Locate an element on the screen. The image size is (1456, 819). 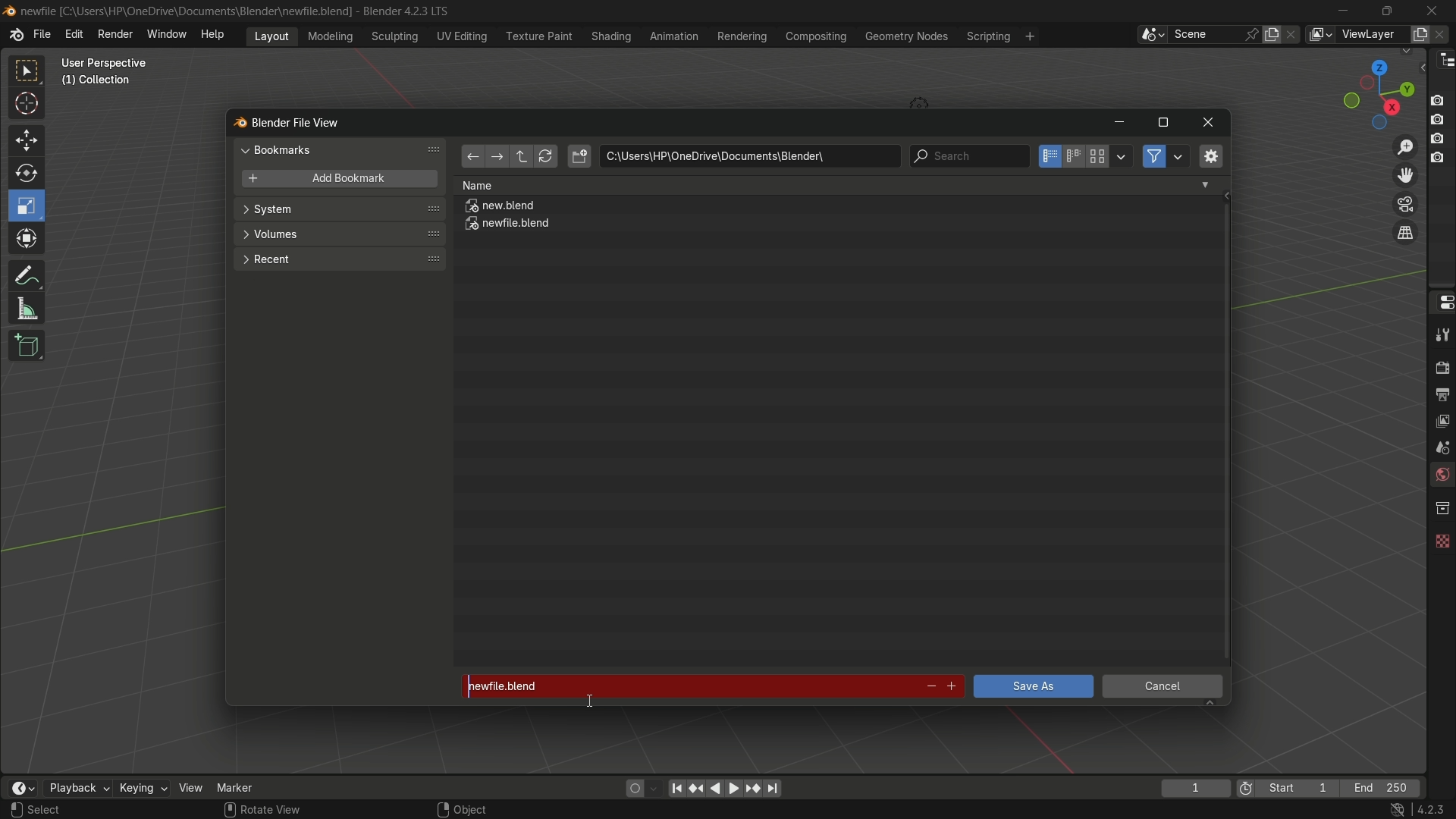
new scene is located at coordinates (1275, 34).